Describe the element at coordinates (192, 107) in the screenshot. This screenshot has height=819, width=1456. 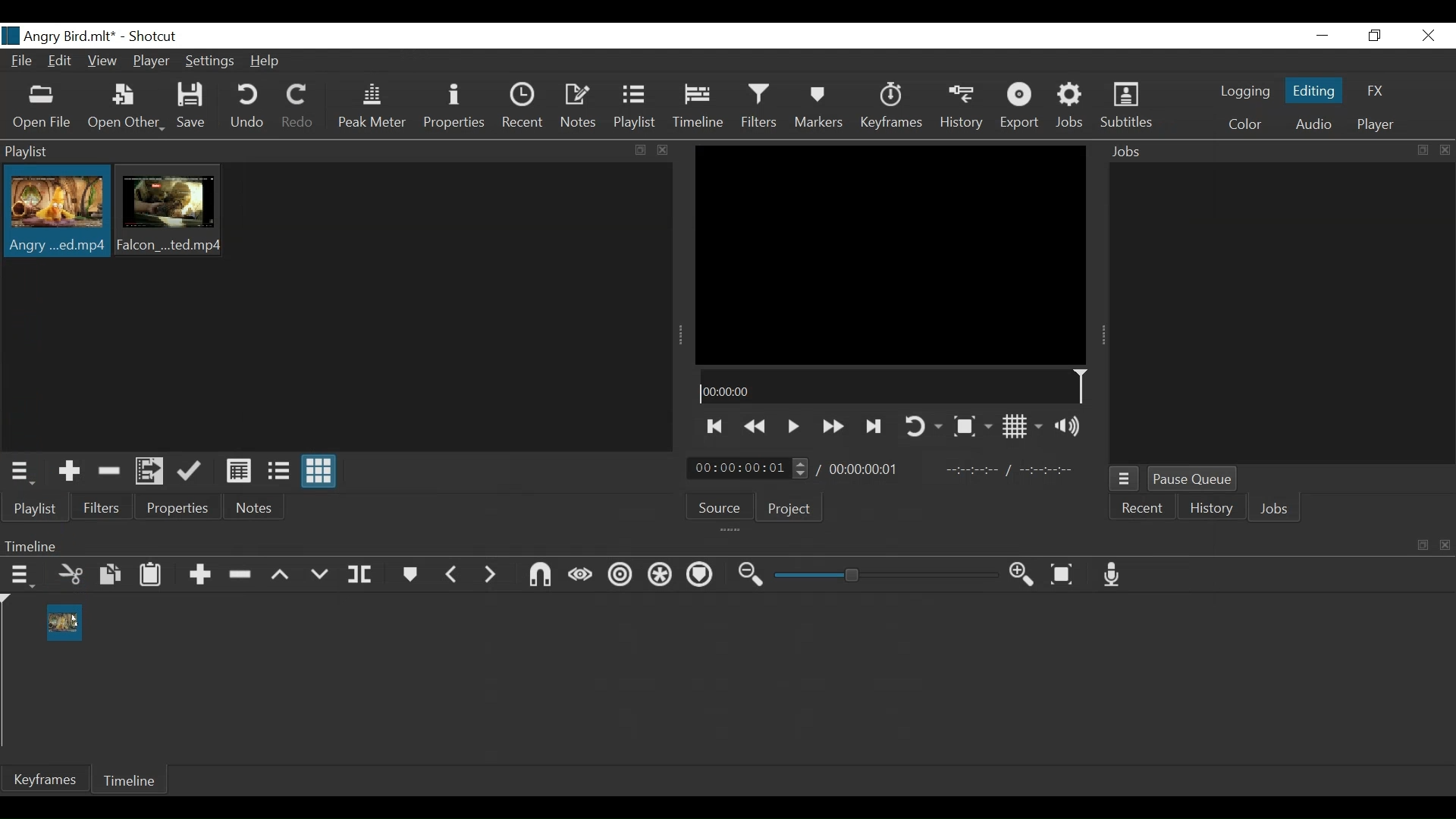
I see `Save` at that location.